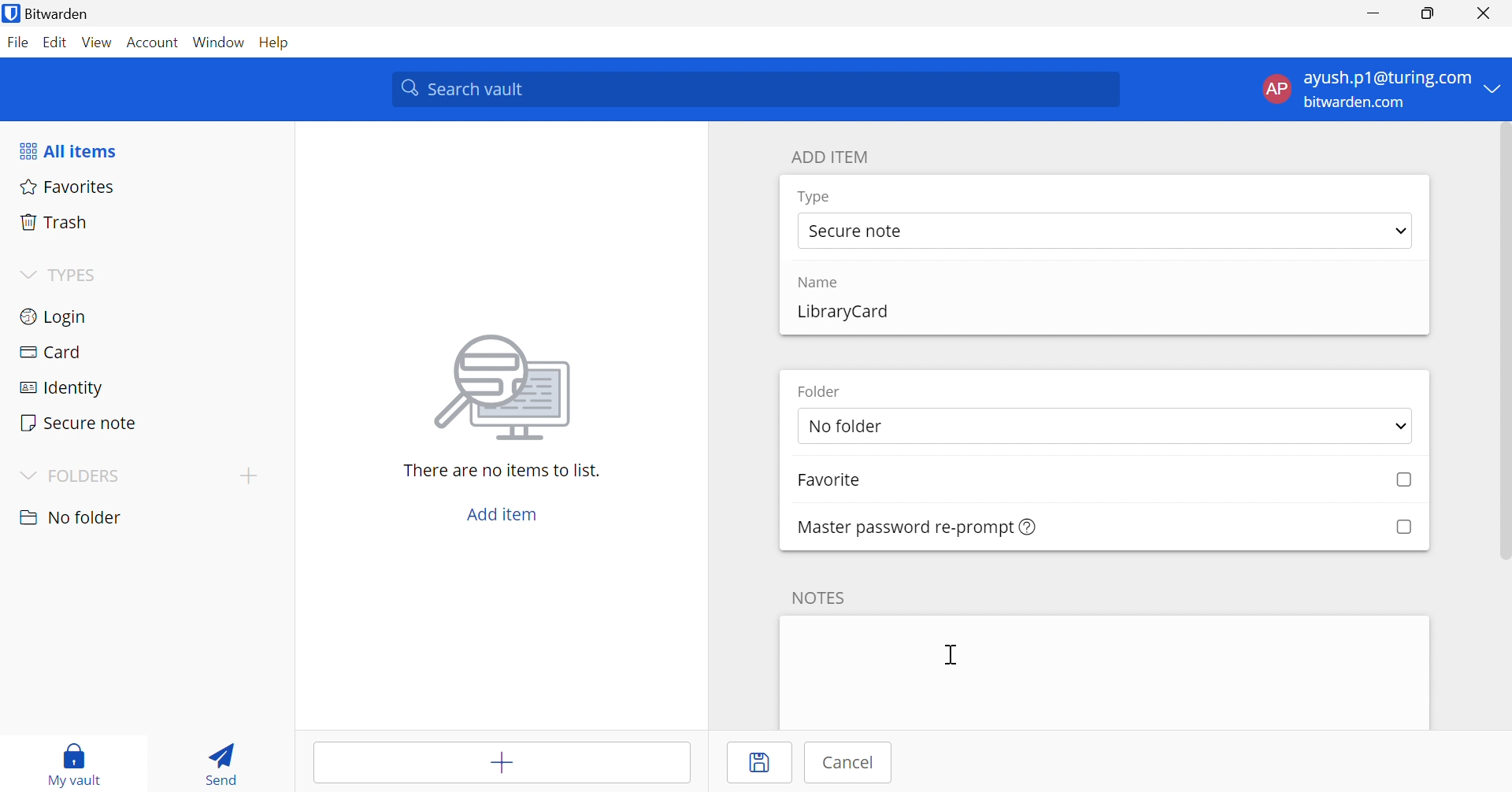 The width and height of the screenshot is (1512, 792). Describe the element at coordinates (1105, 426) in the screenshot. I see `select folder` at that location.